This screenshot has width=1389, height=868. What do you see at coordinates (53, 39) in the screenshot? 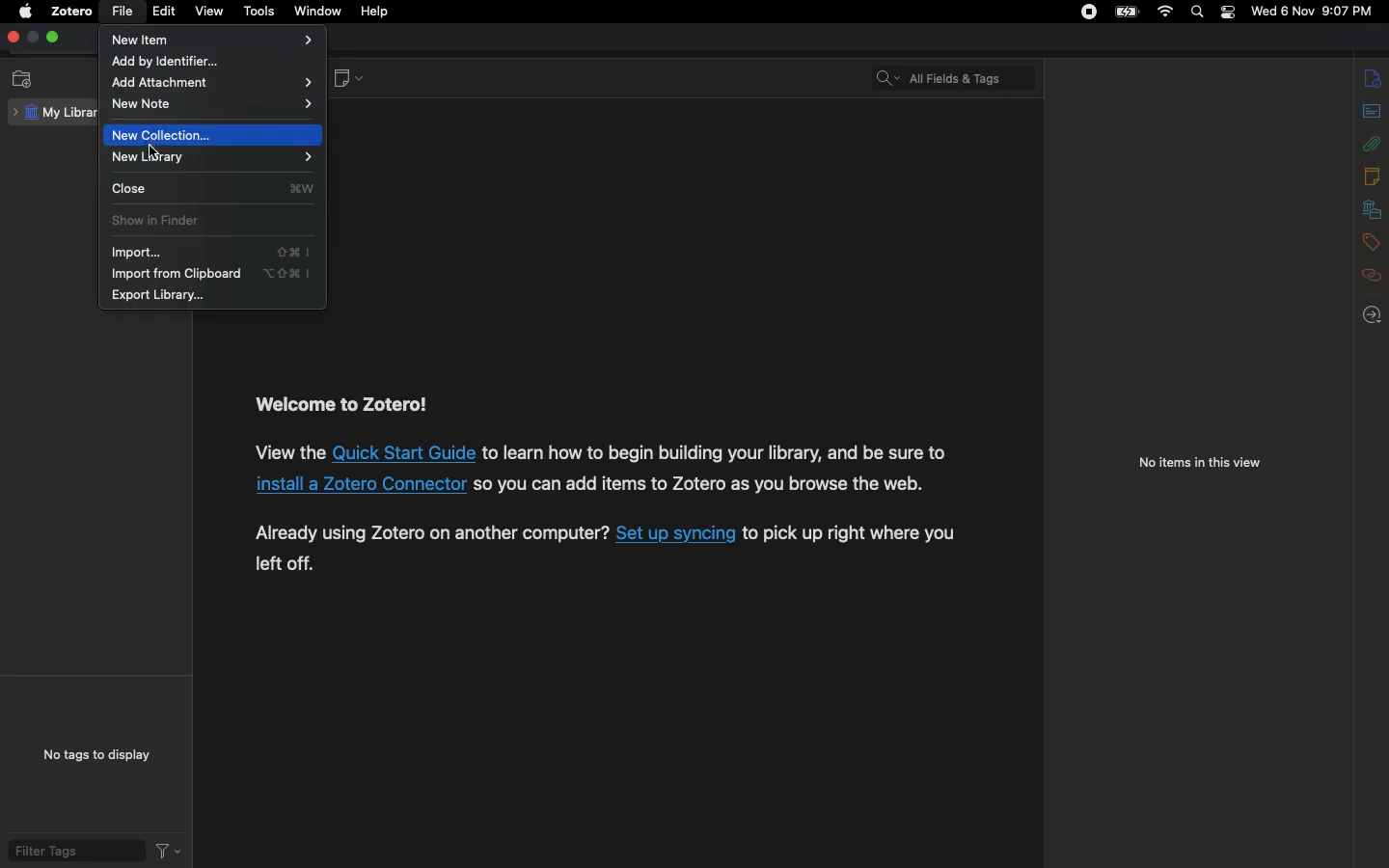
I see `Maximize` at bounding box center [53, 39].